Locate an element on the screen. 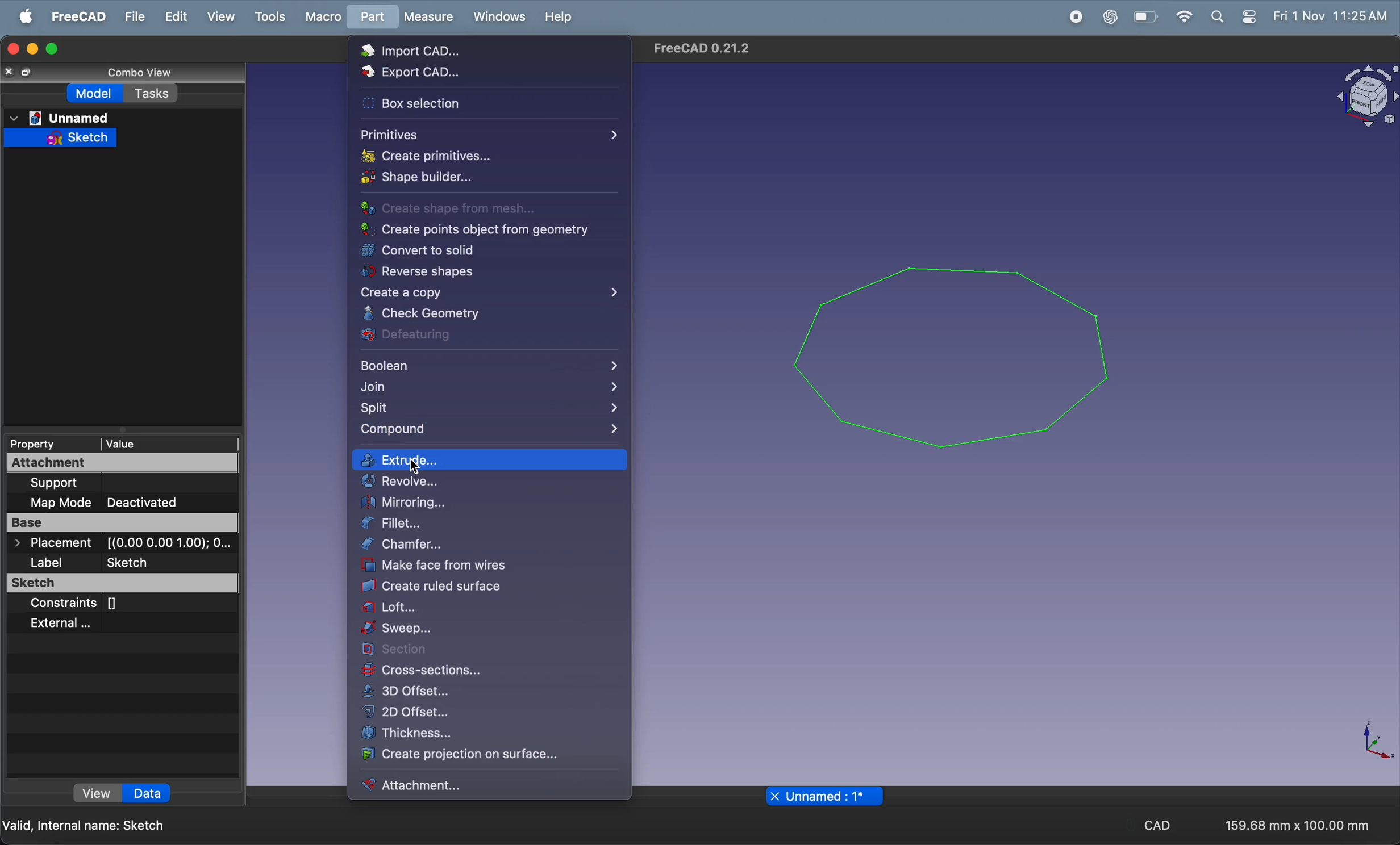  create point object from geometry is located at coordinates (476, 231).